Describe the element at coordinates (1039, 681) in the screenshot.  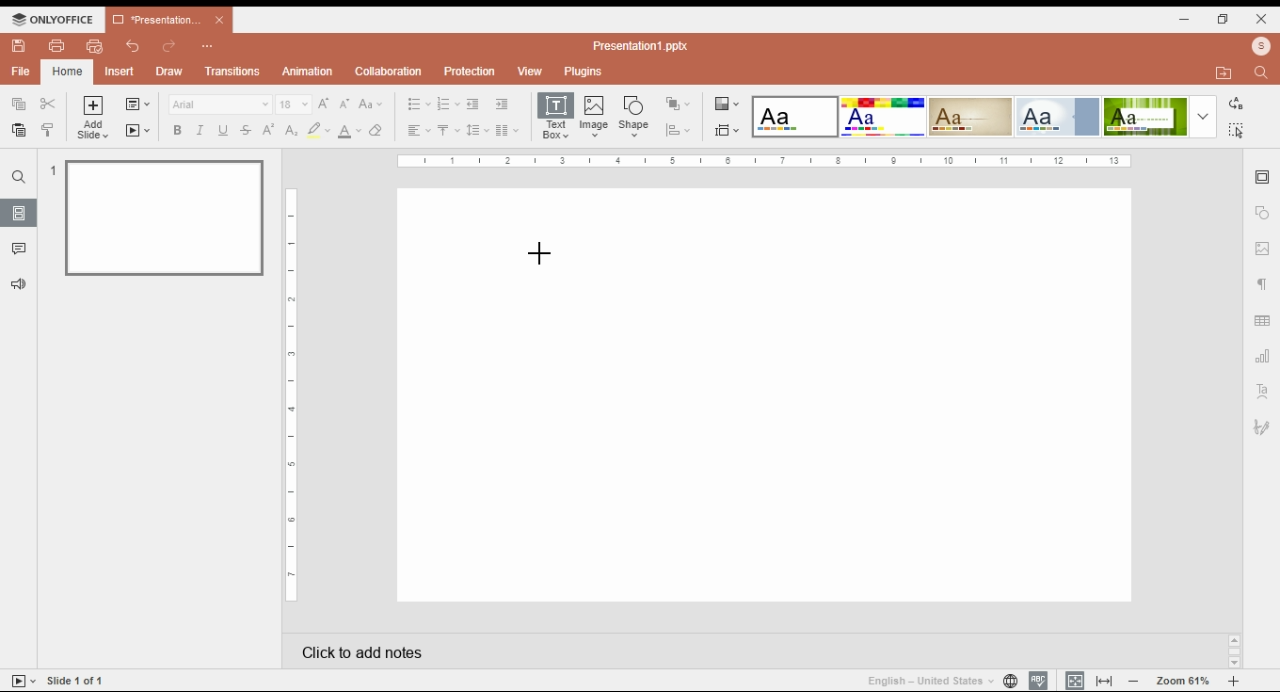
I see `spell check` at that location.